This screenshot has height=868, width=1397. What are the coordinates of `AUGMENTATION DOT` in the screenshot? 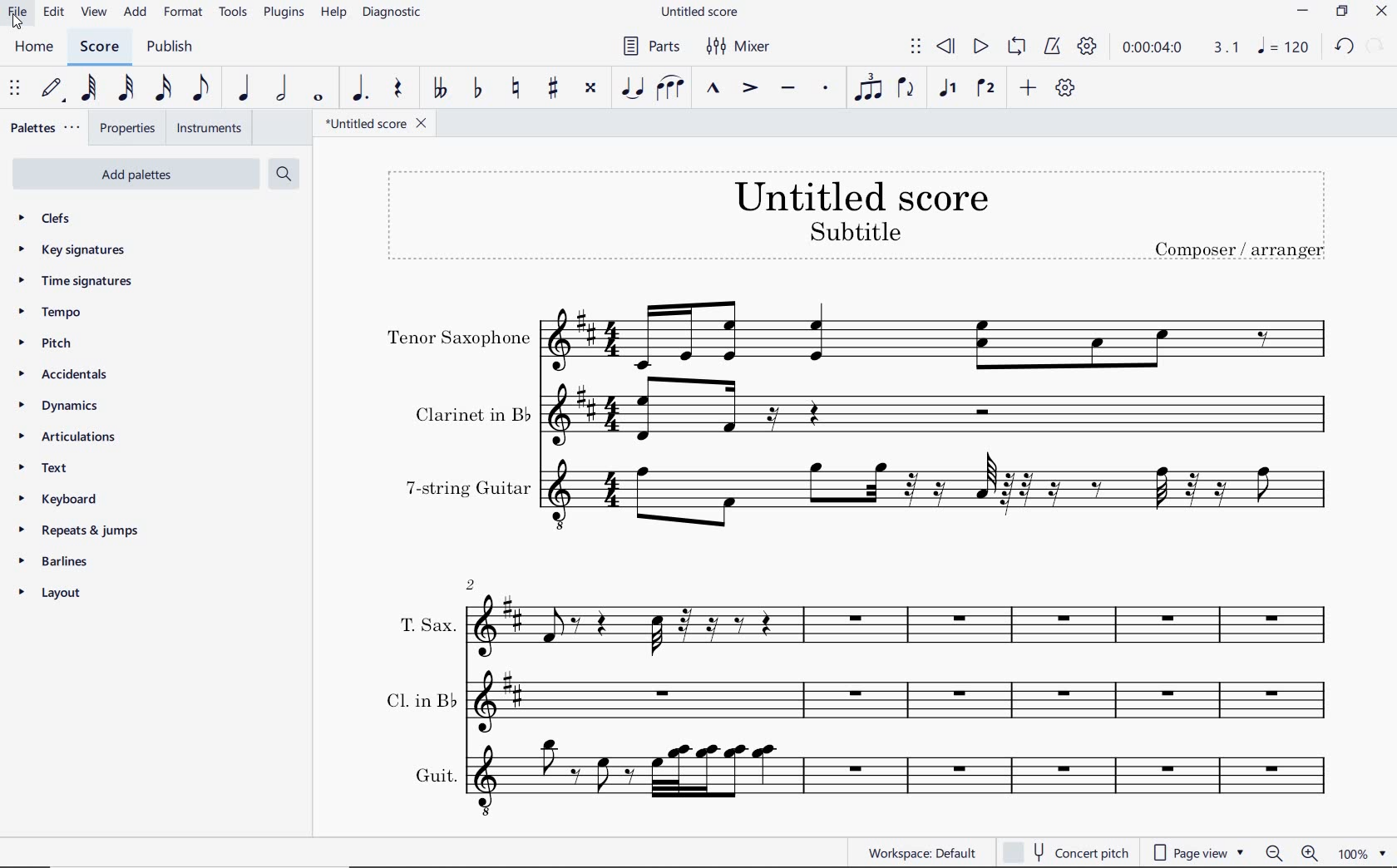 It's located at (360, 91).